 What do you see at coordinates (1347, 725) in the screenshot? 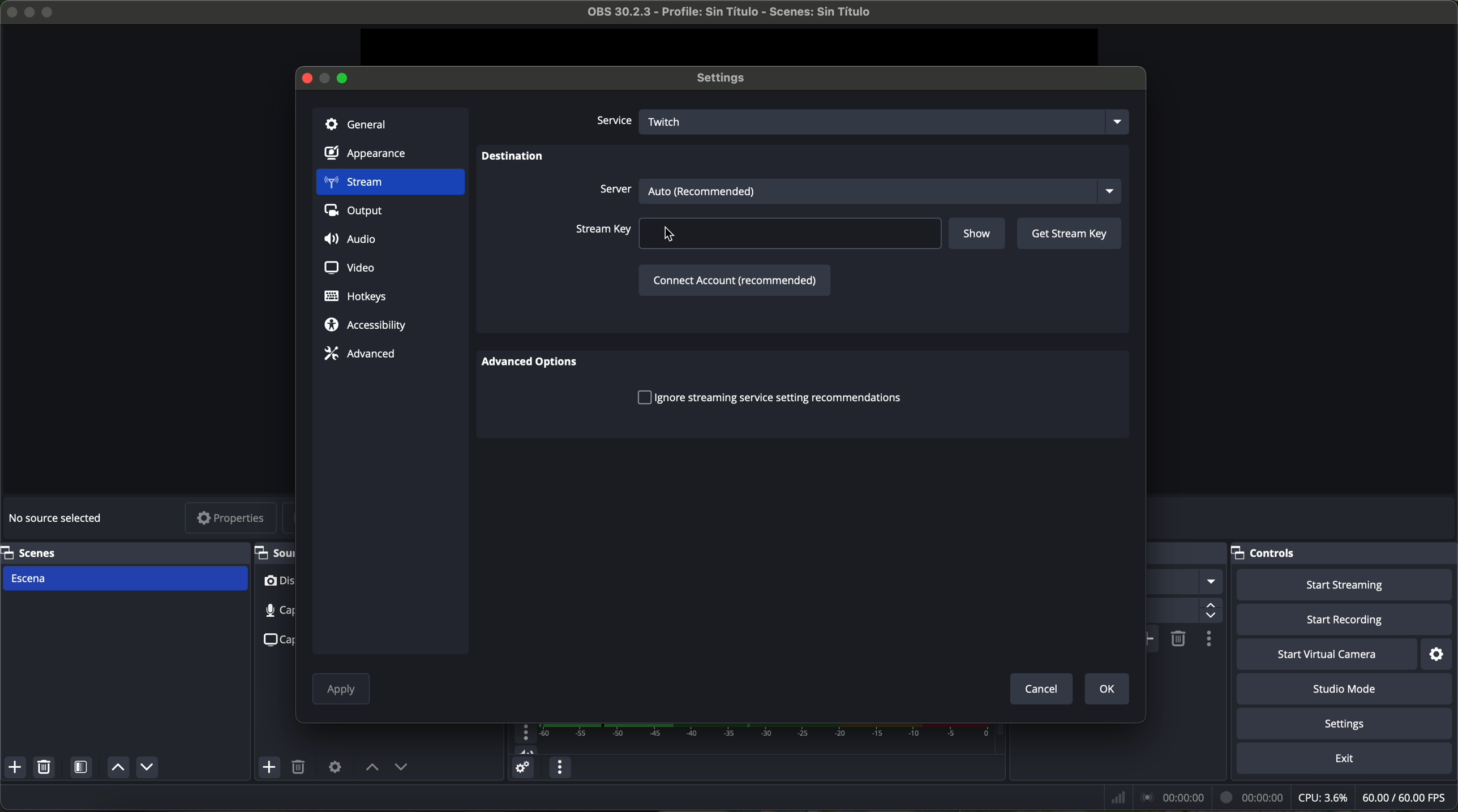
I see `settings` at bounding box center [1347, 725].